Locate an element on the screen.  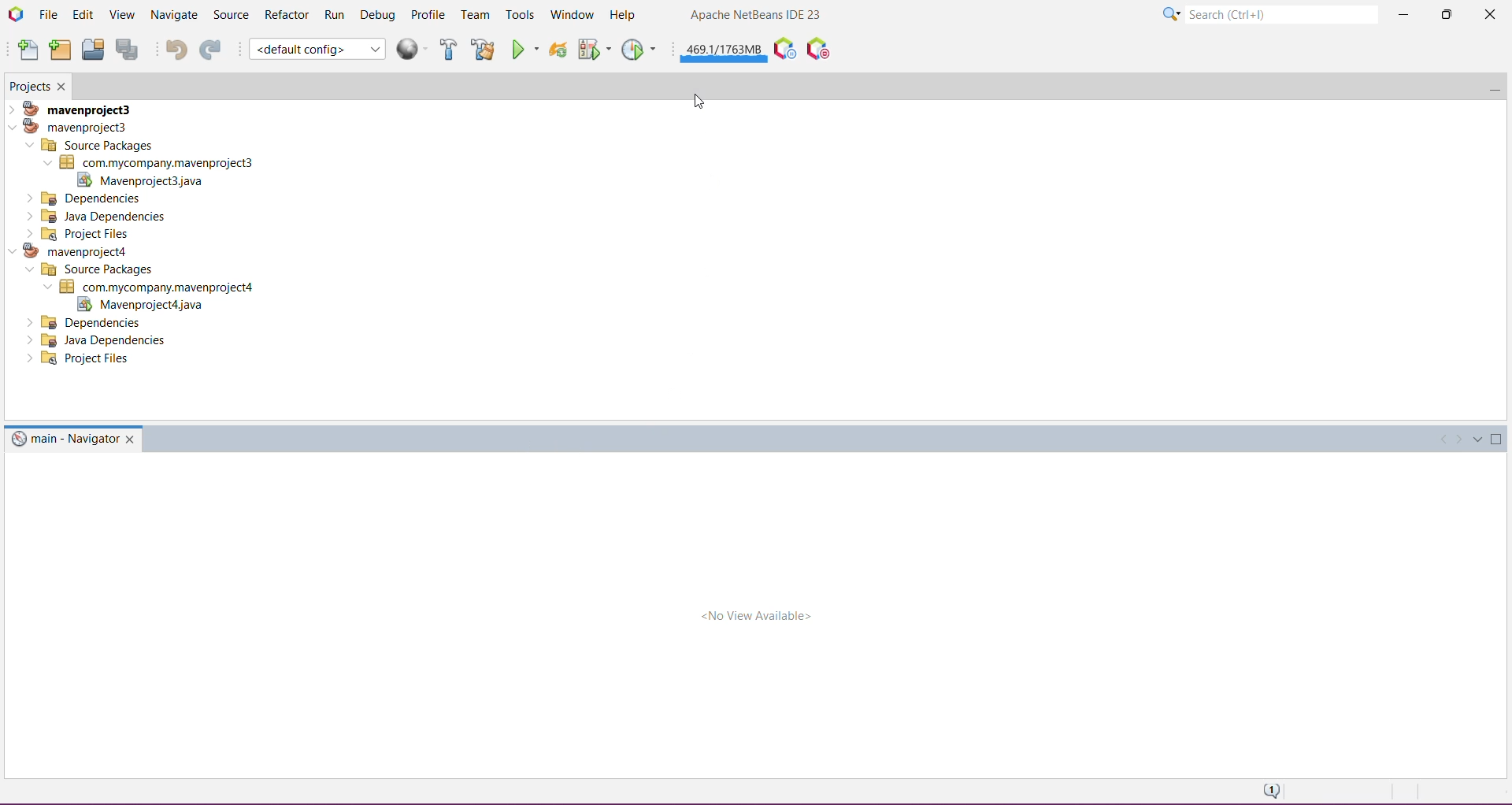
Tools is located at coordinates (519, 16).